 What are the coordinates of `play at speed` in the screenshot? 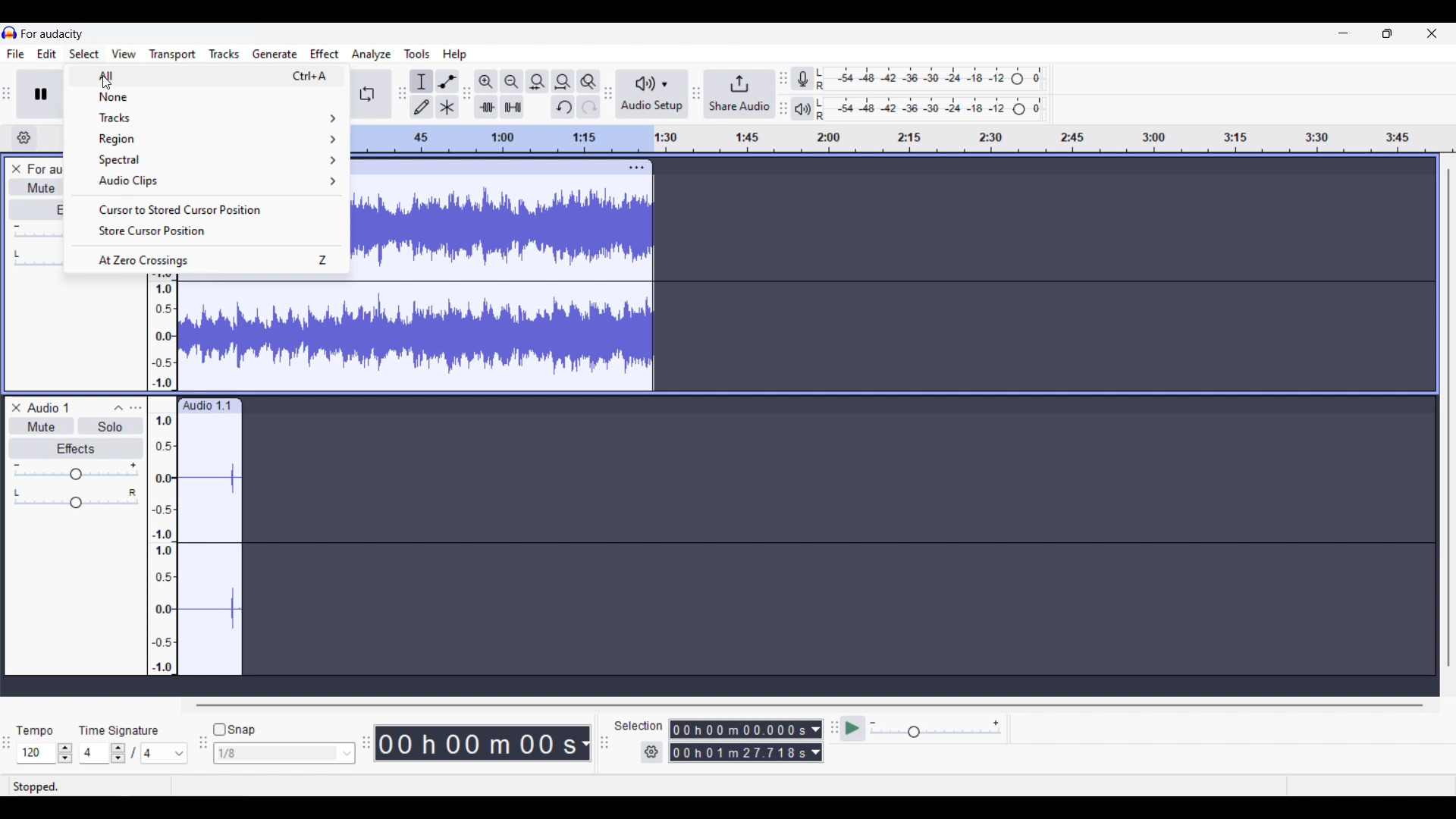 It's located at (853, 728).